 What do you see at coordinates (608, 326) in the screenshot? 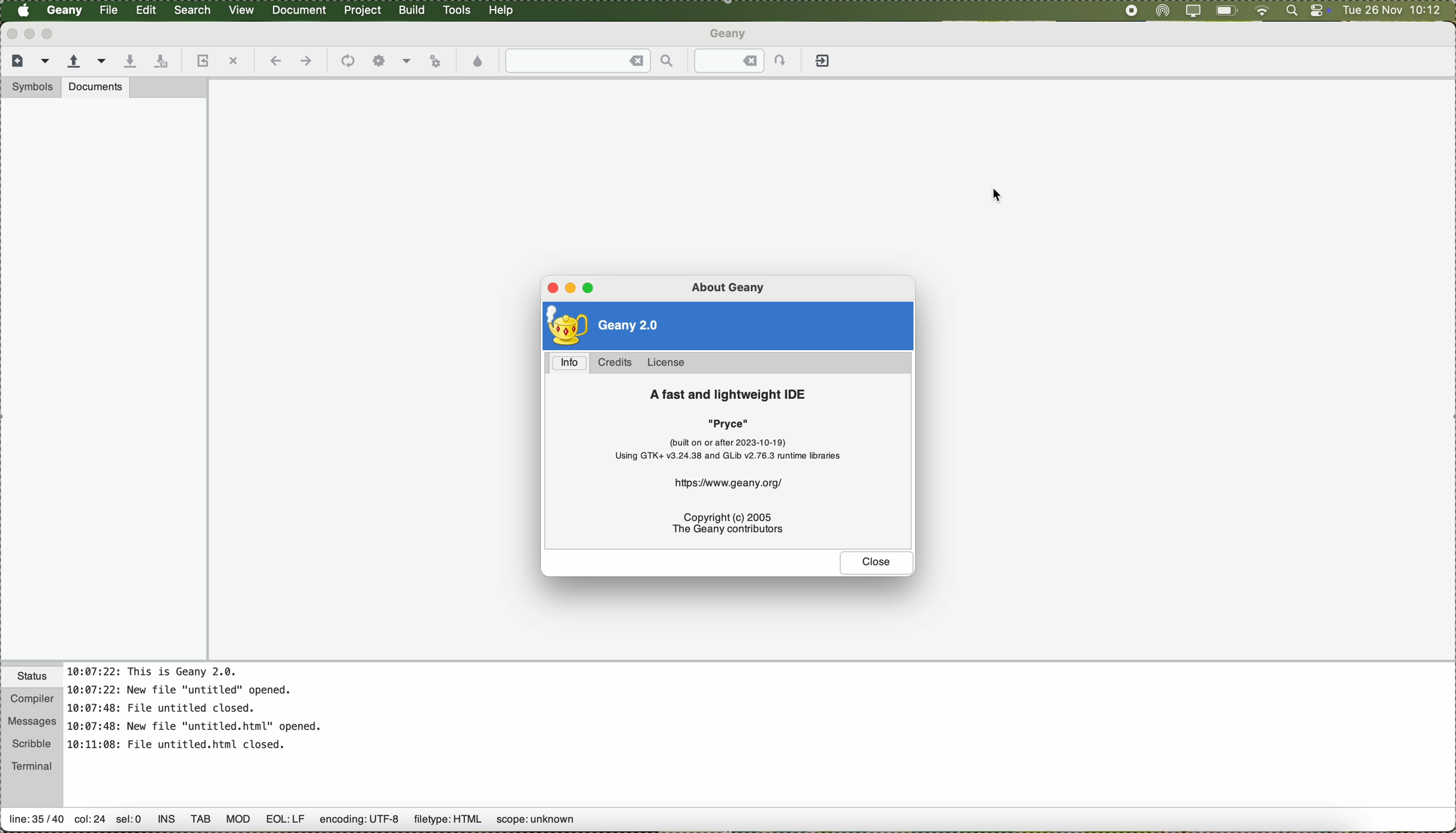
I see `latest version of Geany` at bounding box center [608, 326].